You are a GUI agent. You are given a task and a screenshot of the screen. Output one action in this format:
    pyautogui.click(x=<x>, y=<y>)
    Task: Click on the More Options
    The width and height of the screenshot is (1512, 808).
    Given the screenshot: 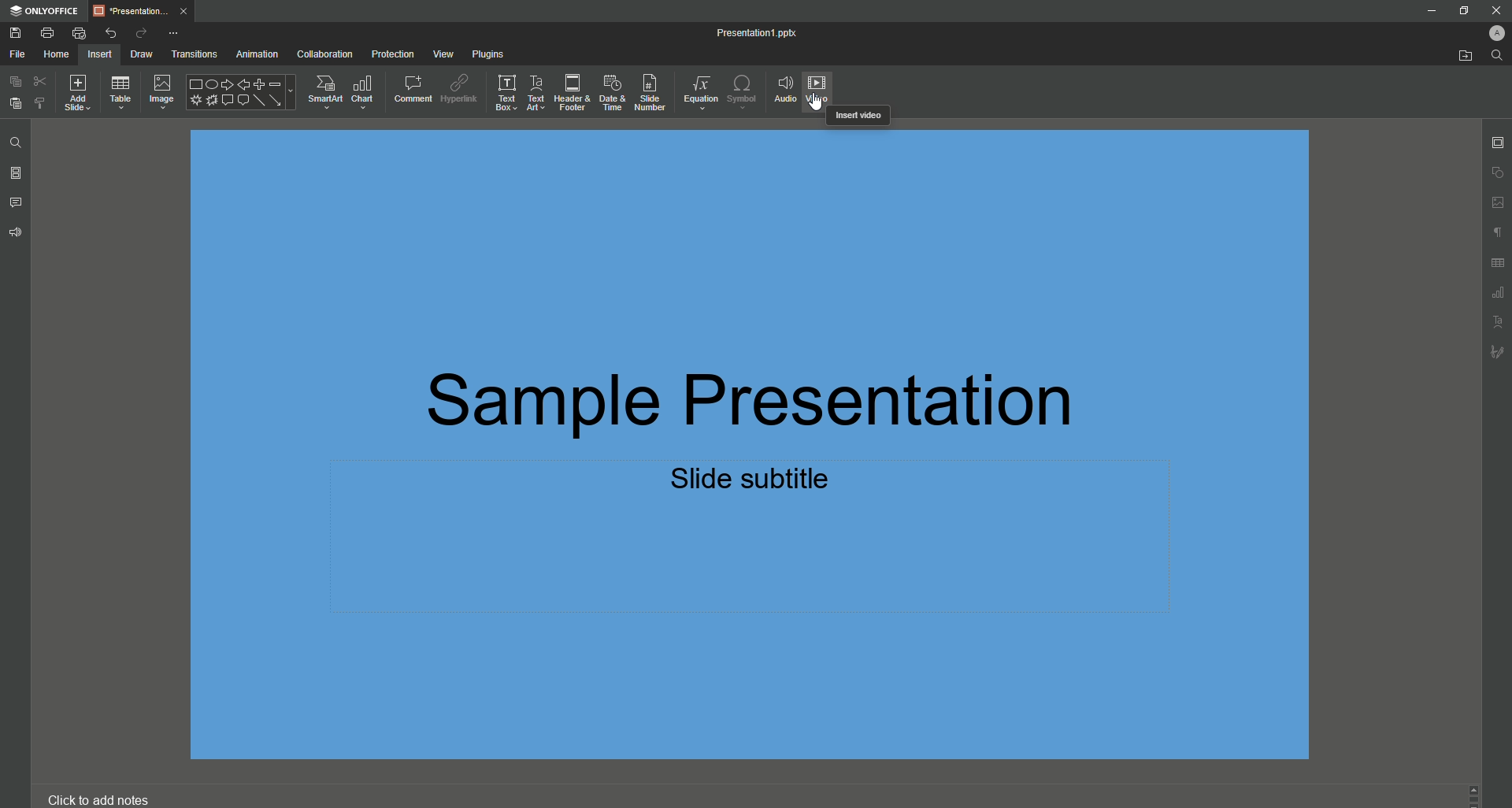 What is the action you would take?
    pyautogui.click(x=174, y=32)
    